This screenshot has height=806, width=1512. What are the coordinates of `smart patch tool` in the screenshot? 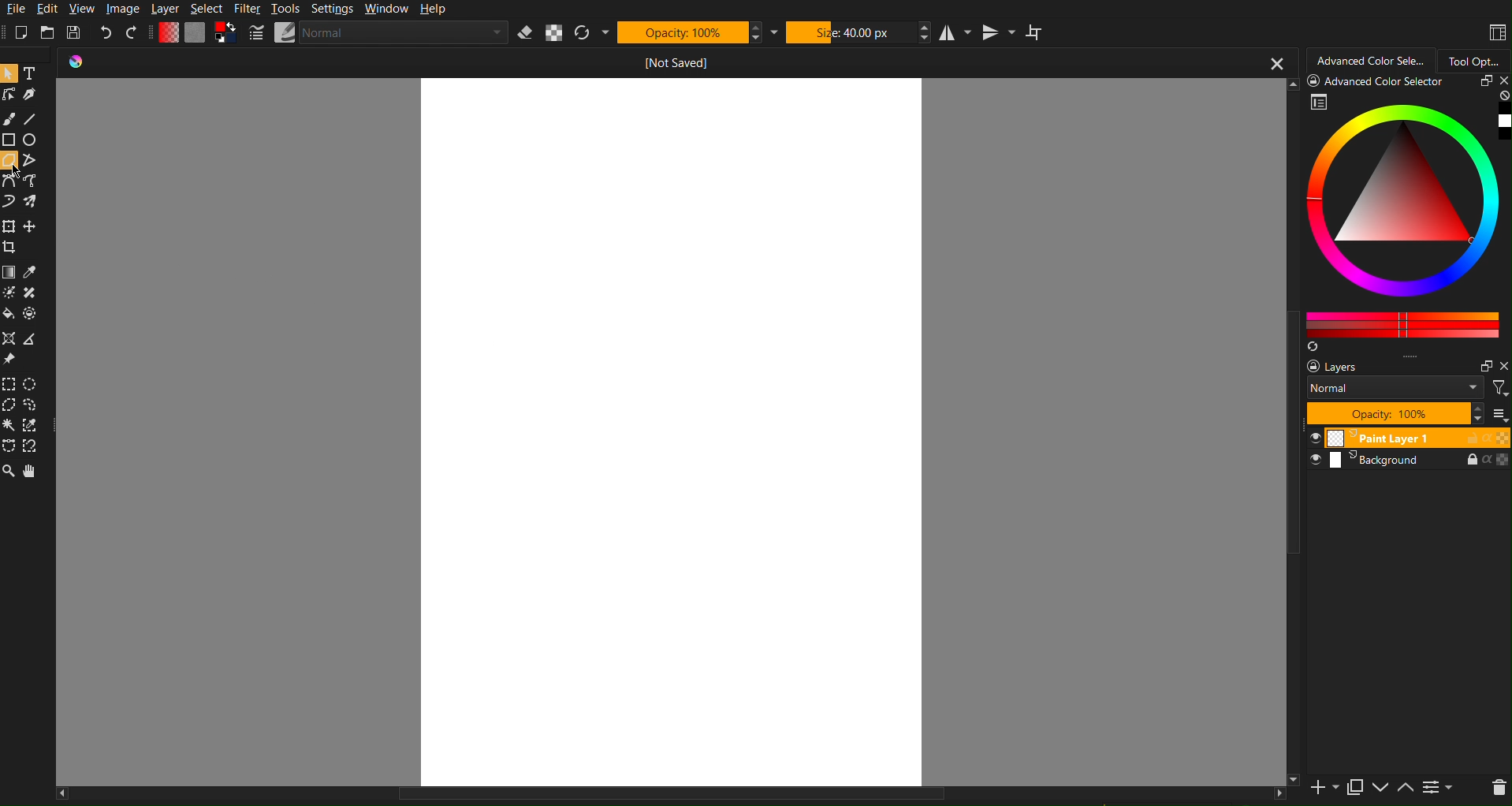 It's located at (35, 292).